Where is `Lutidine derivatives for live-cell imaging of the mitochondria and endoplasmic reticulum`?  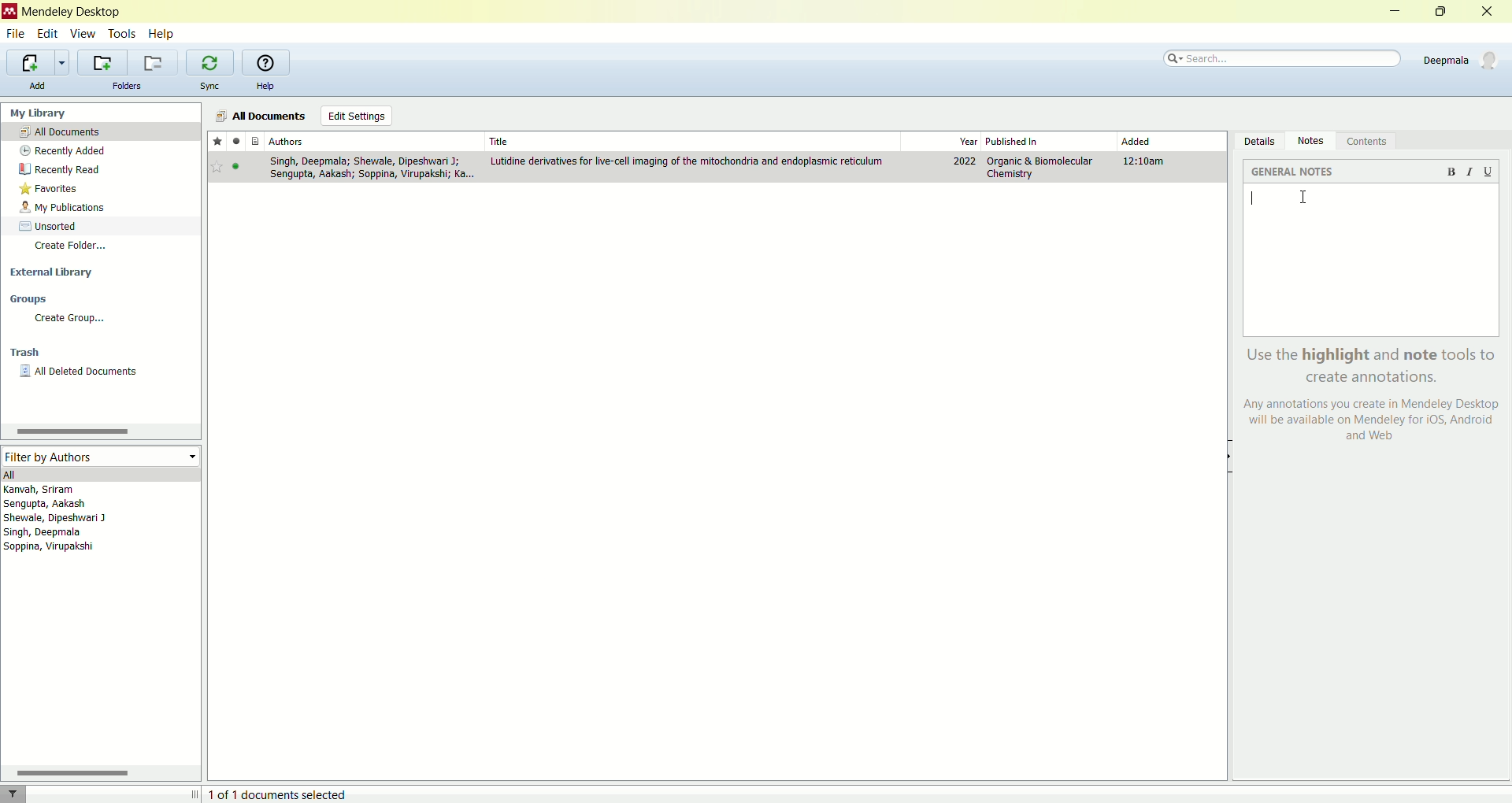 Lutidine derivatives for live-cell imaging of the mitochondria and endoplasmic reticulum is located at coordinates (688, 161).